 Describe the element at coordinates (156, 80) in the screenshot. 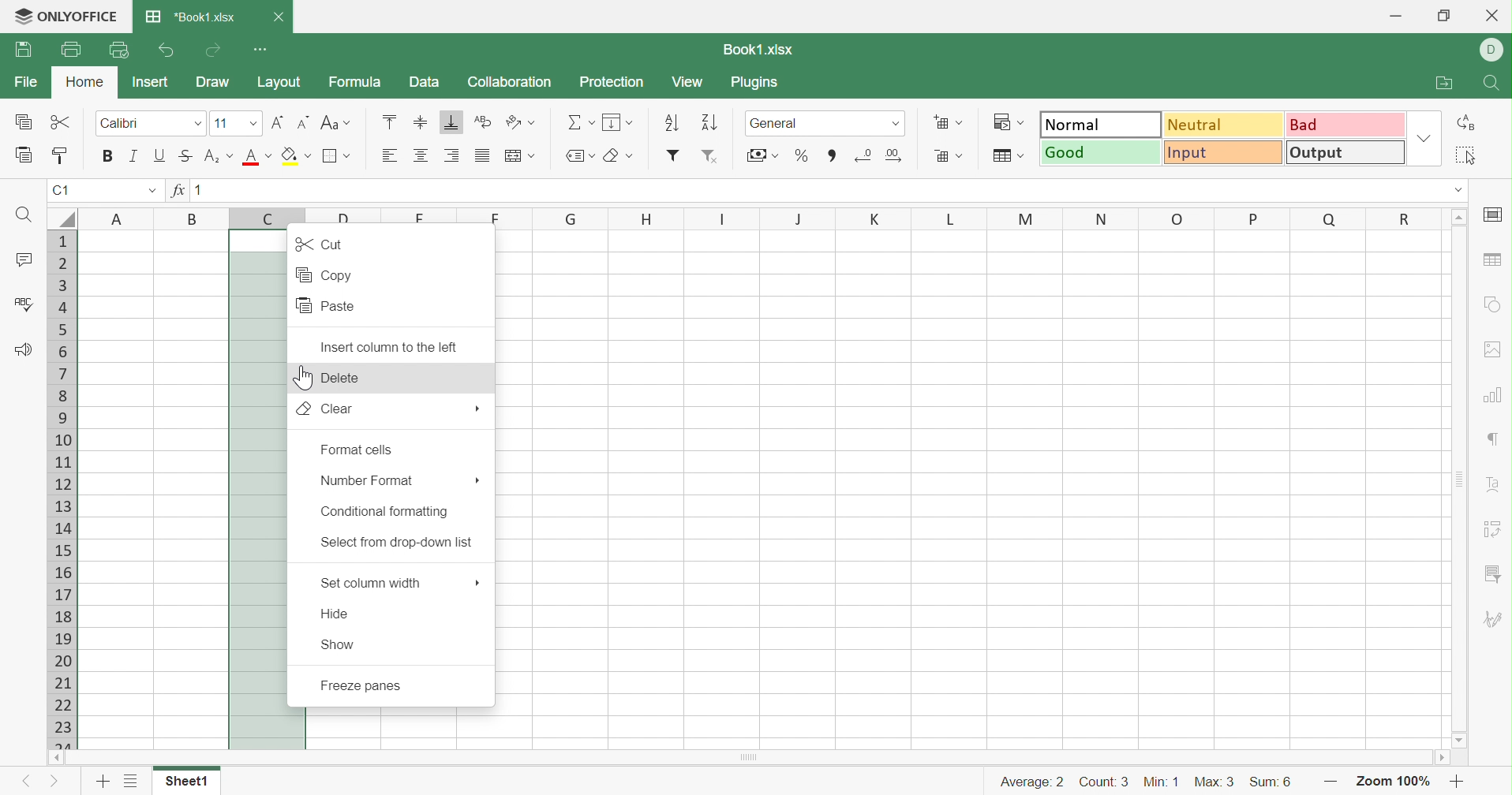

I see `Insert` at that location.